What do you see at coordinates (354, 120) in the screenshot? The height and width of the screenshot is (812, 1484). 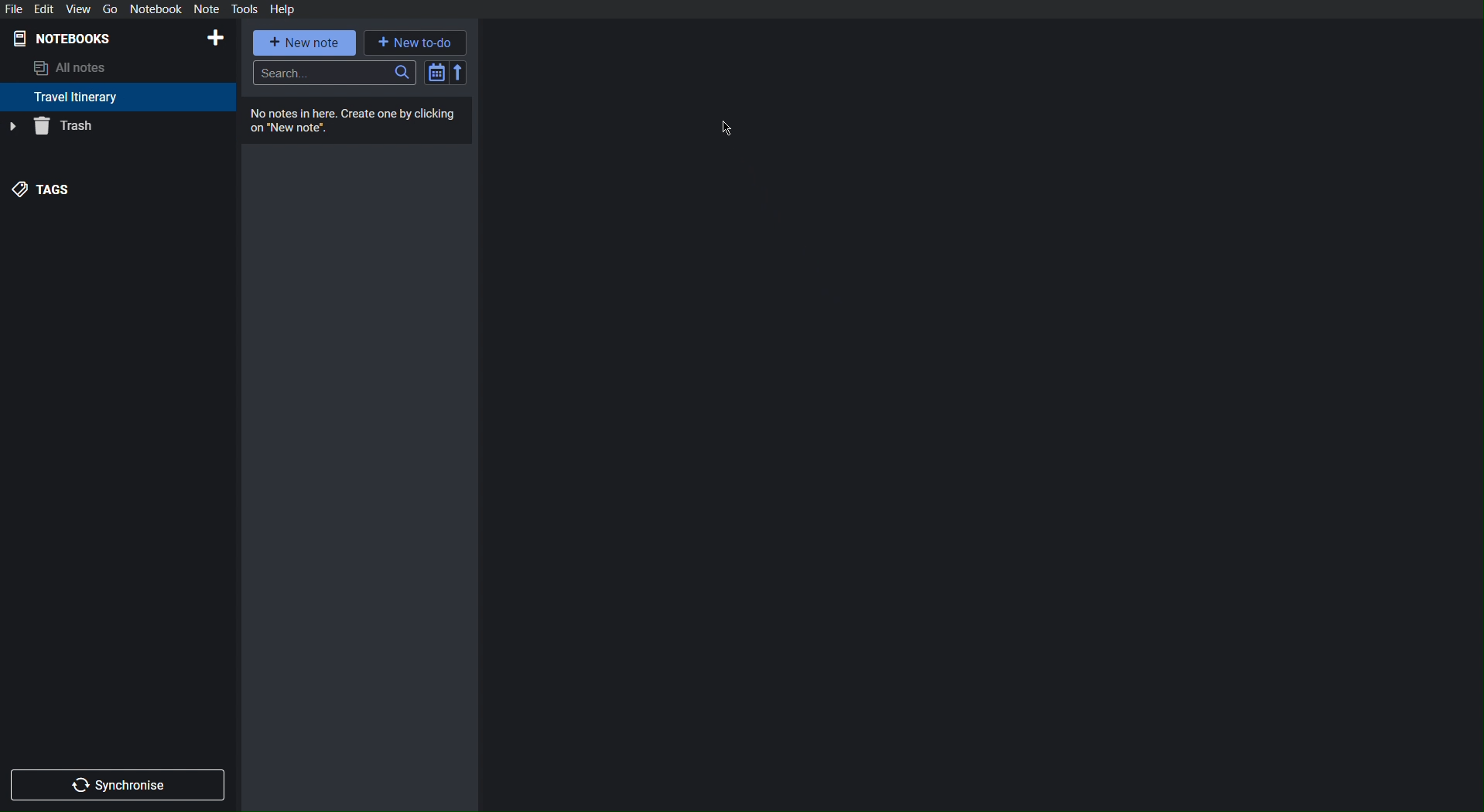 I see `No notes here. Create one by clicking on "New notes"` at bounding box center [354, 120].